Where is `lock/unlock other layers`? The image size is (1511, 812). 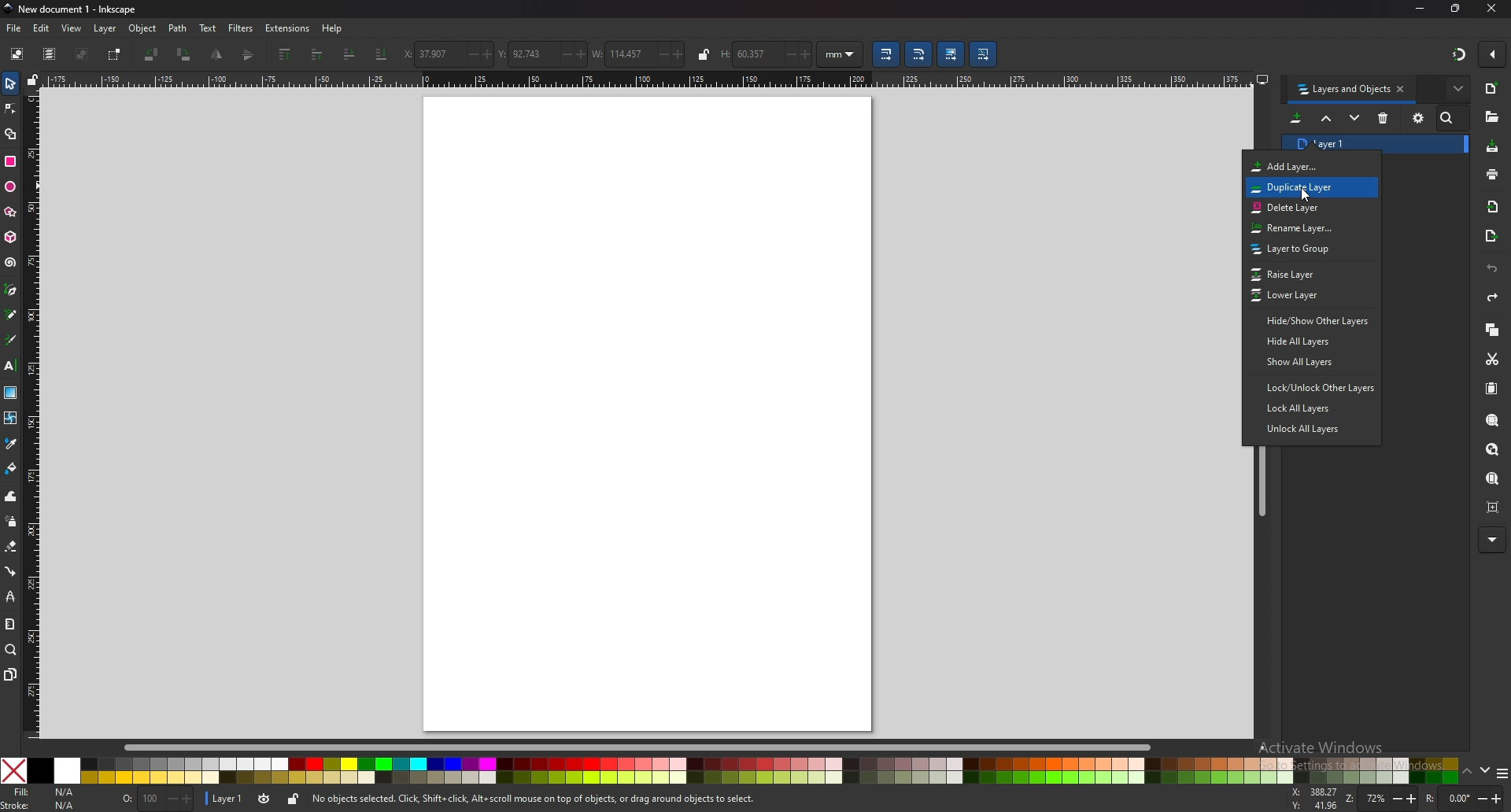
lock/unlock other layers is located at coordinates (1312, 388).